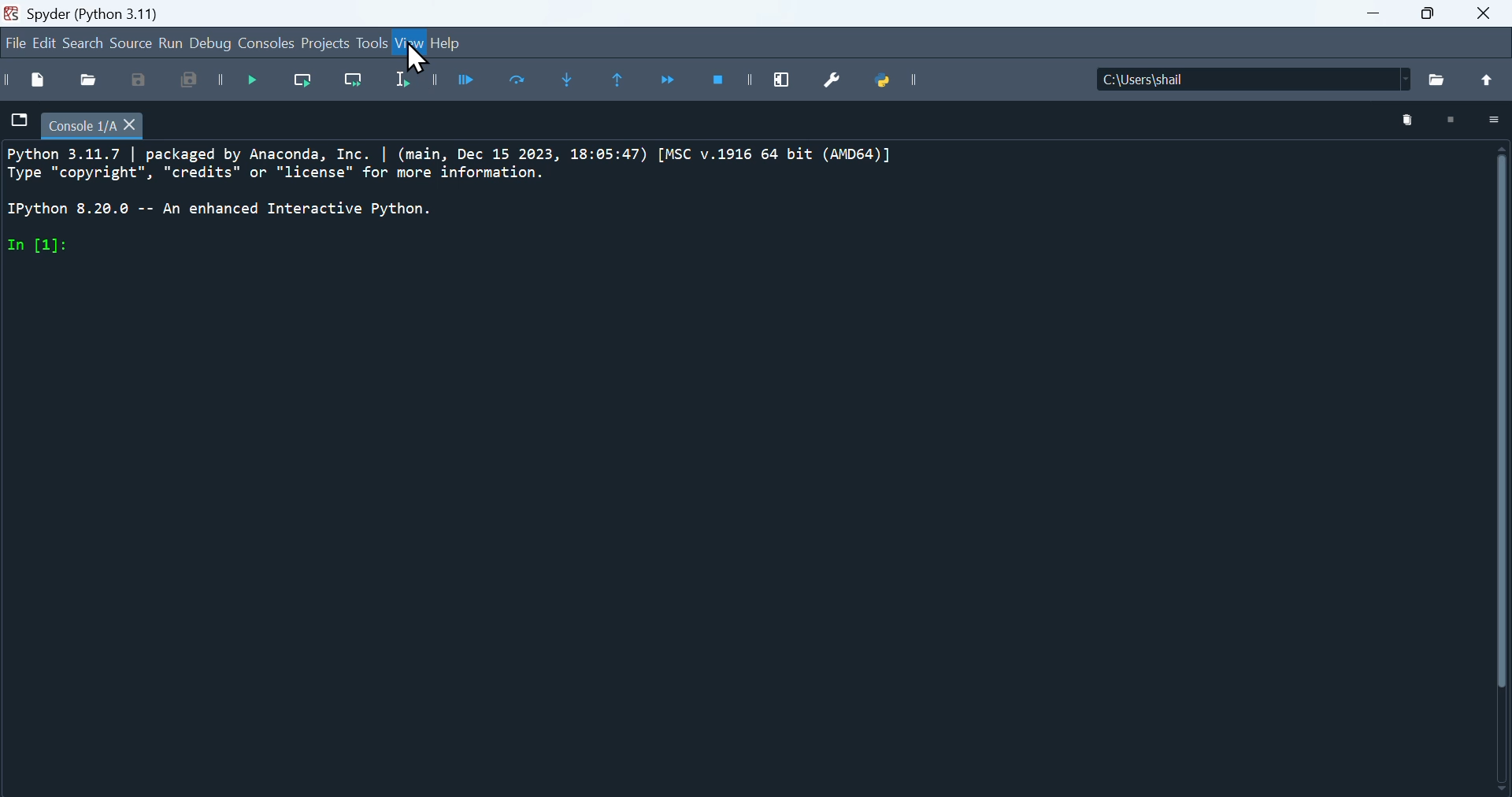  I want to click on file, so click(18, 120).